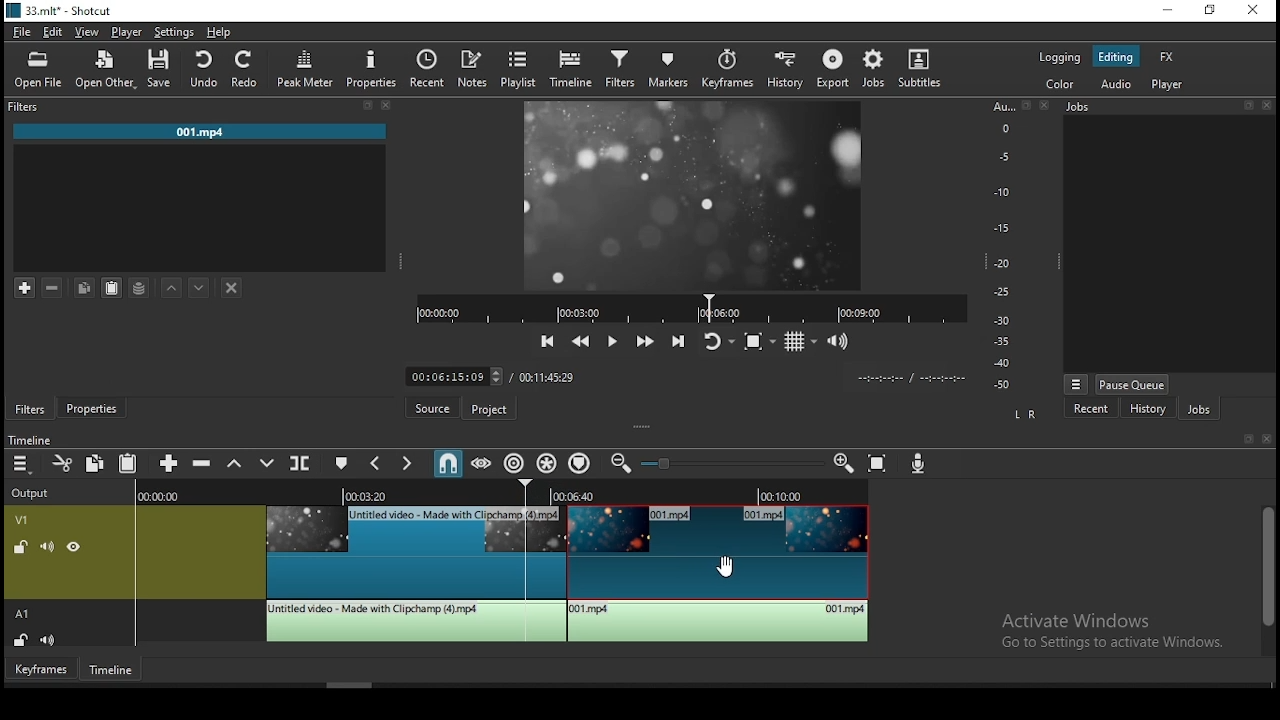 The height and width of the screenshot is (720, 1280). I want to click on history, so click(785, 72).